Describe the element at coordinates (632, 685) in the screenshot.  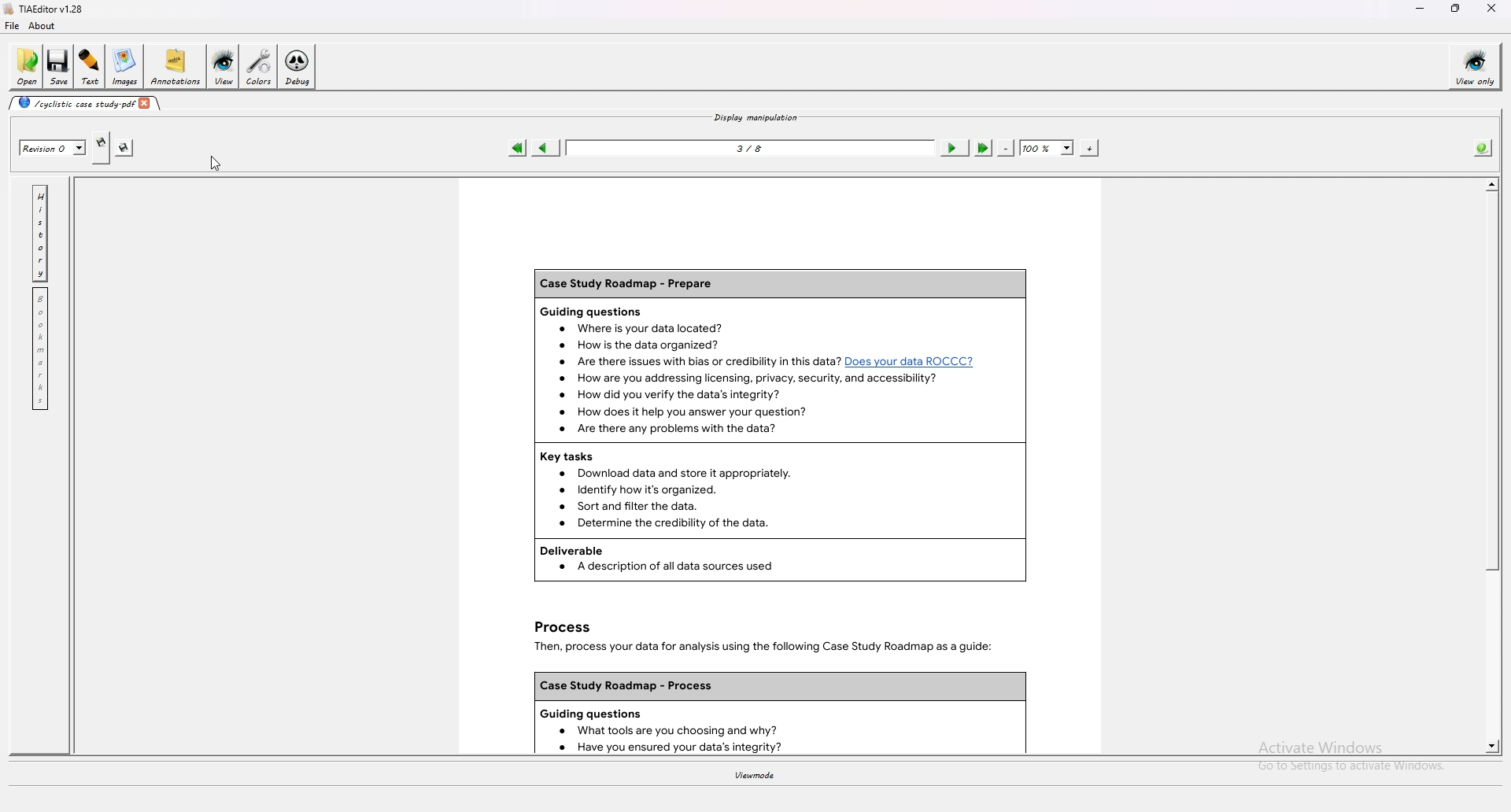
I see `Case Study Roadmap - Process` at that location.